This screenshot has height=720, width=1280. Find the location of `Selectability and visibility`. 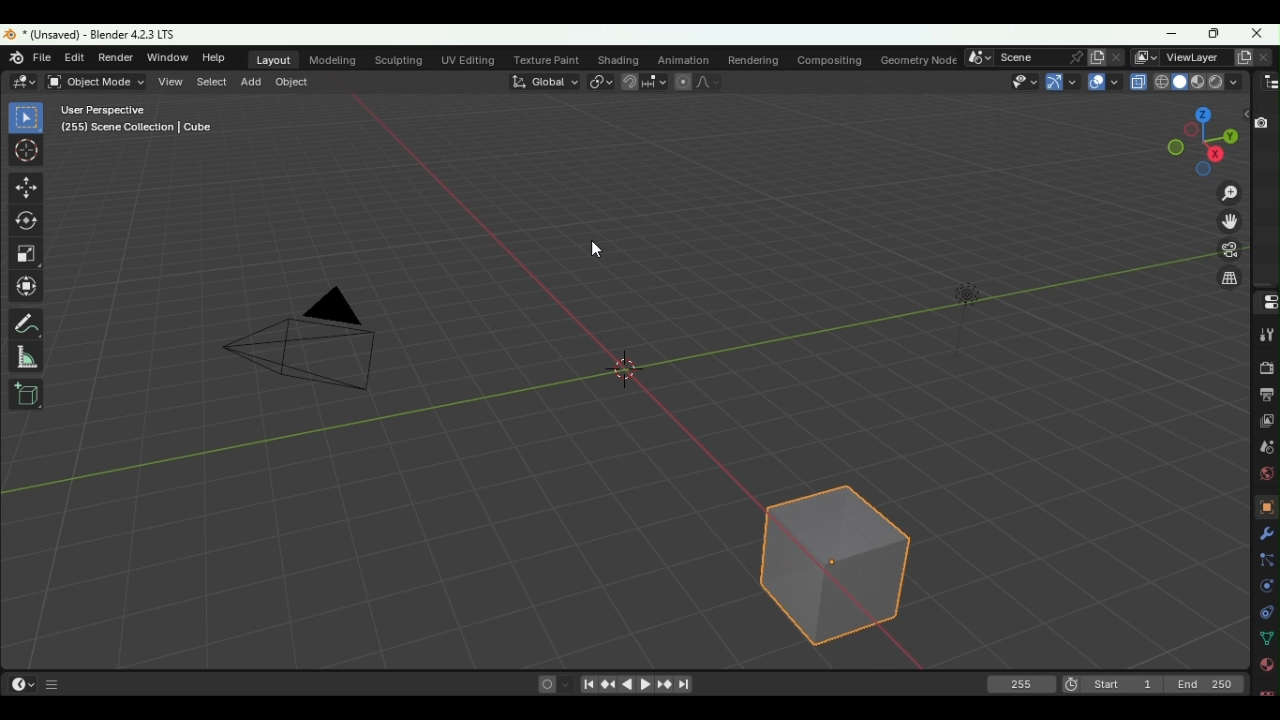

Selectability and visibility is located at coordinates (1020, 81).